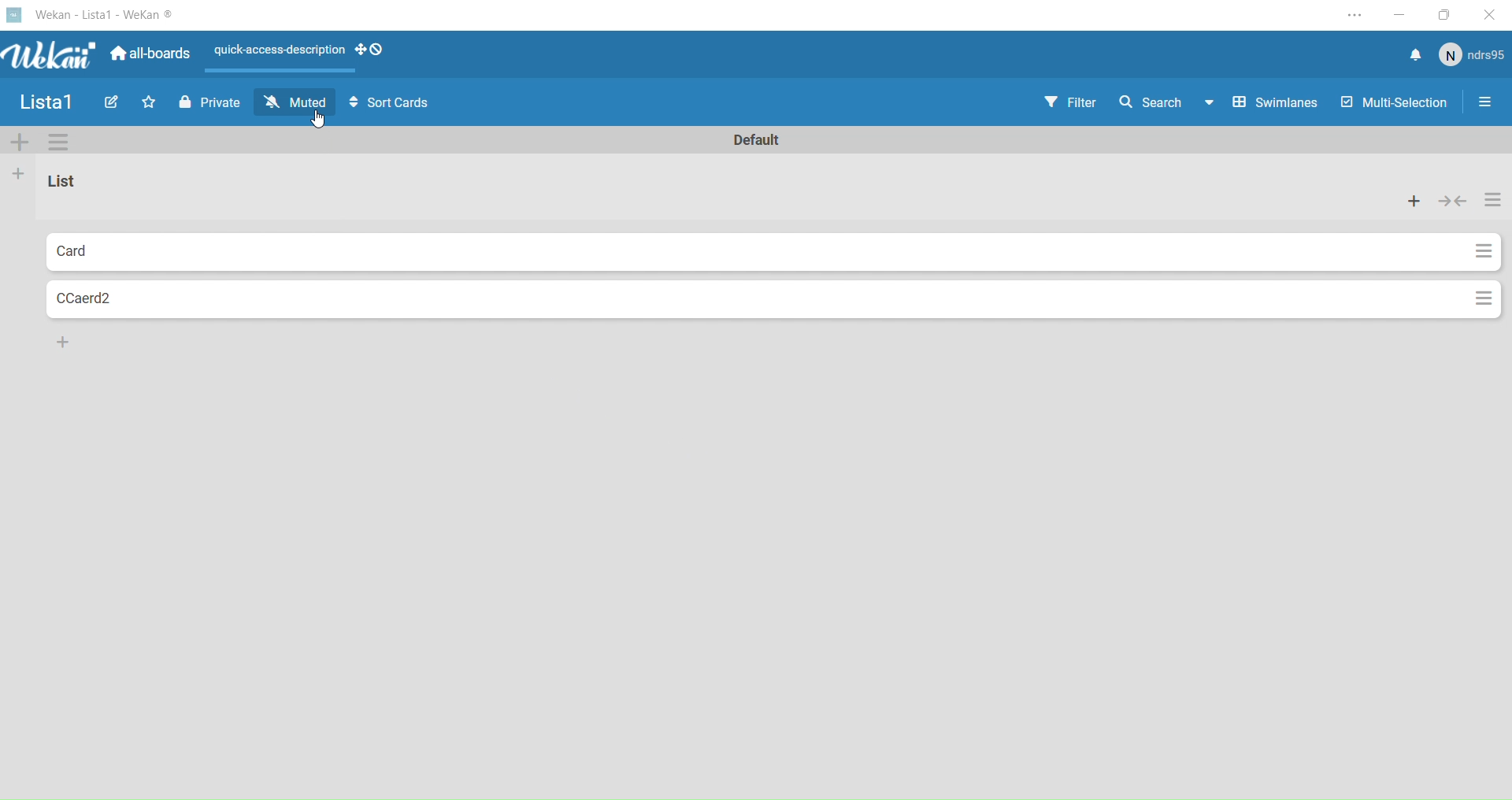 This screenshot has height=800, width=1512. I want to click on Sort Cards, so click(389, 103).